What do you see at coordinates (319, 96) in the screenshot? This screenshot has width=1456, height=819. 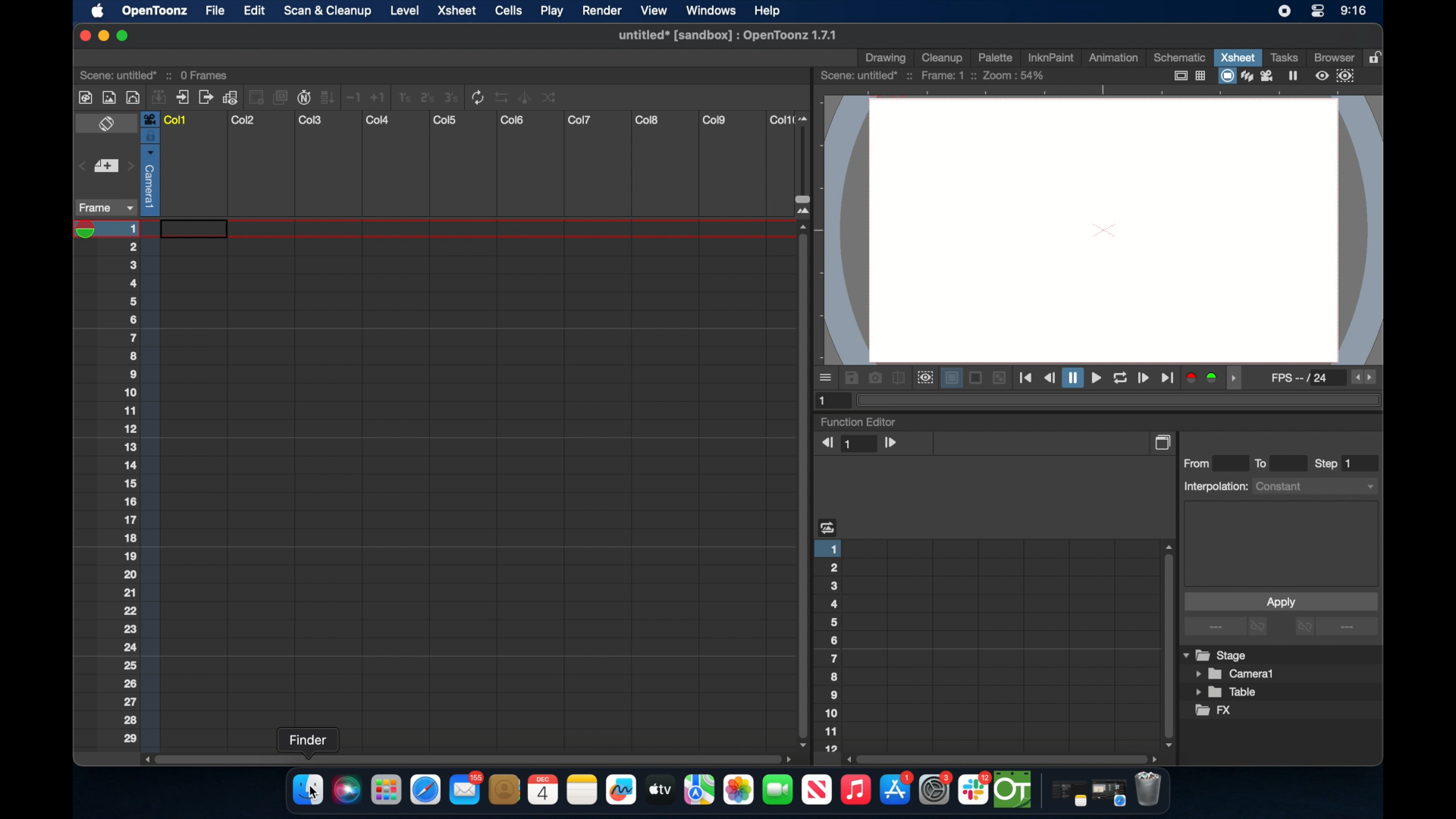 I see `more tools` at bounding box center [319, 96].